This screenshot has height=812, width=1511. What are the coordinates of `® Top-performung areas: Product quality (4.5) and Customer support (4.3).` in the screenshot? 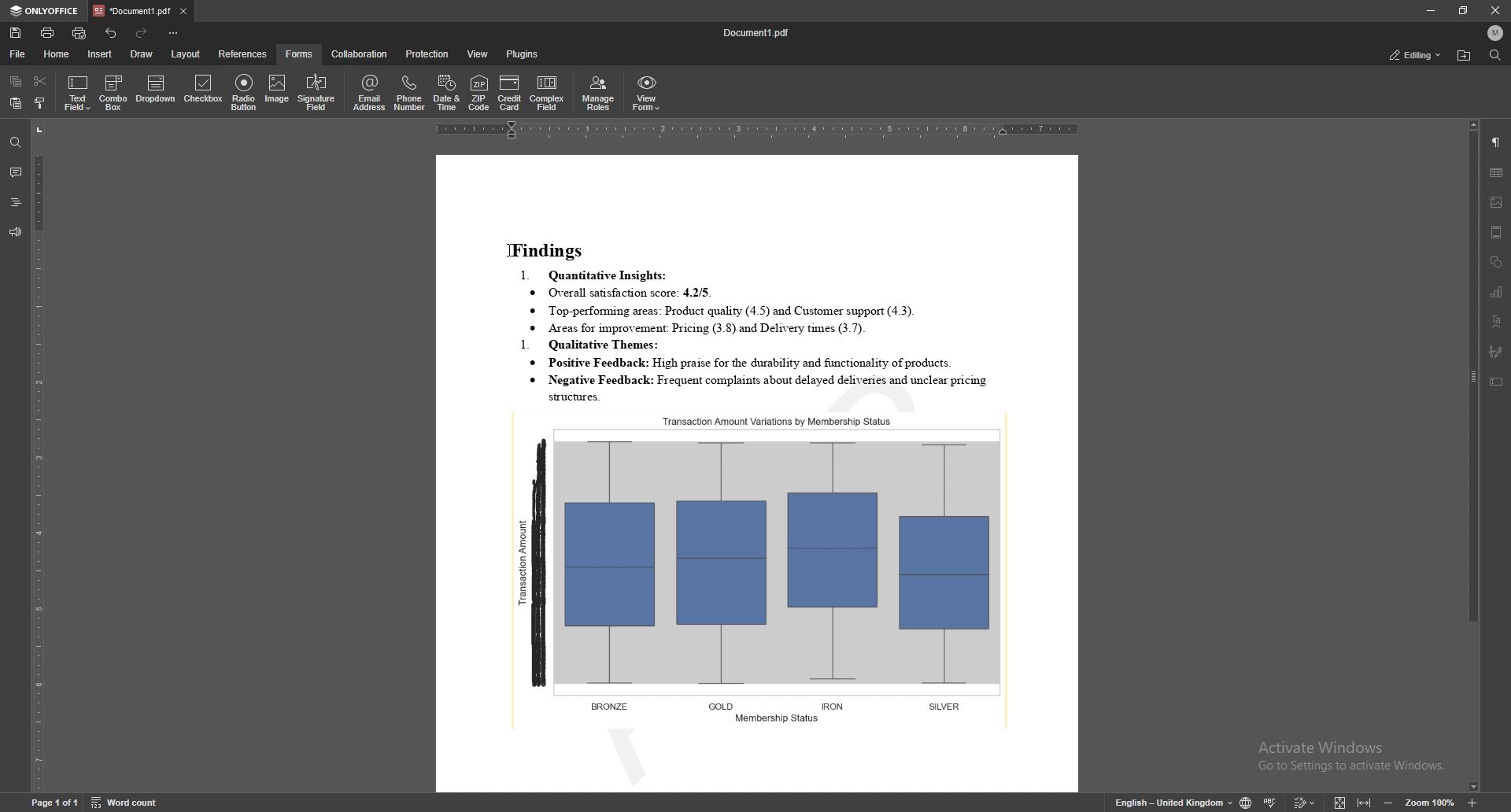 It's located at (727, 311).